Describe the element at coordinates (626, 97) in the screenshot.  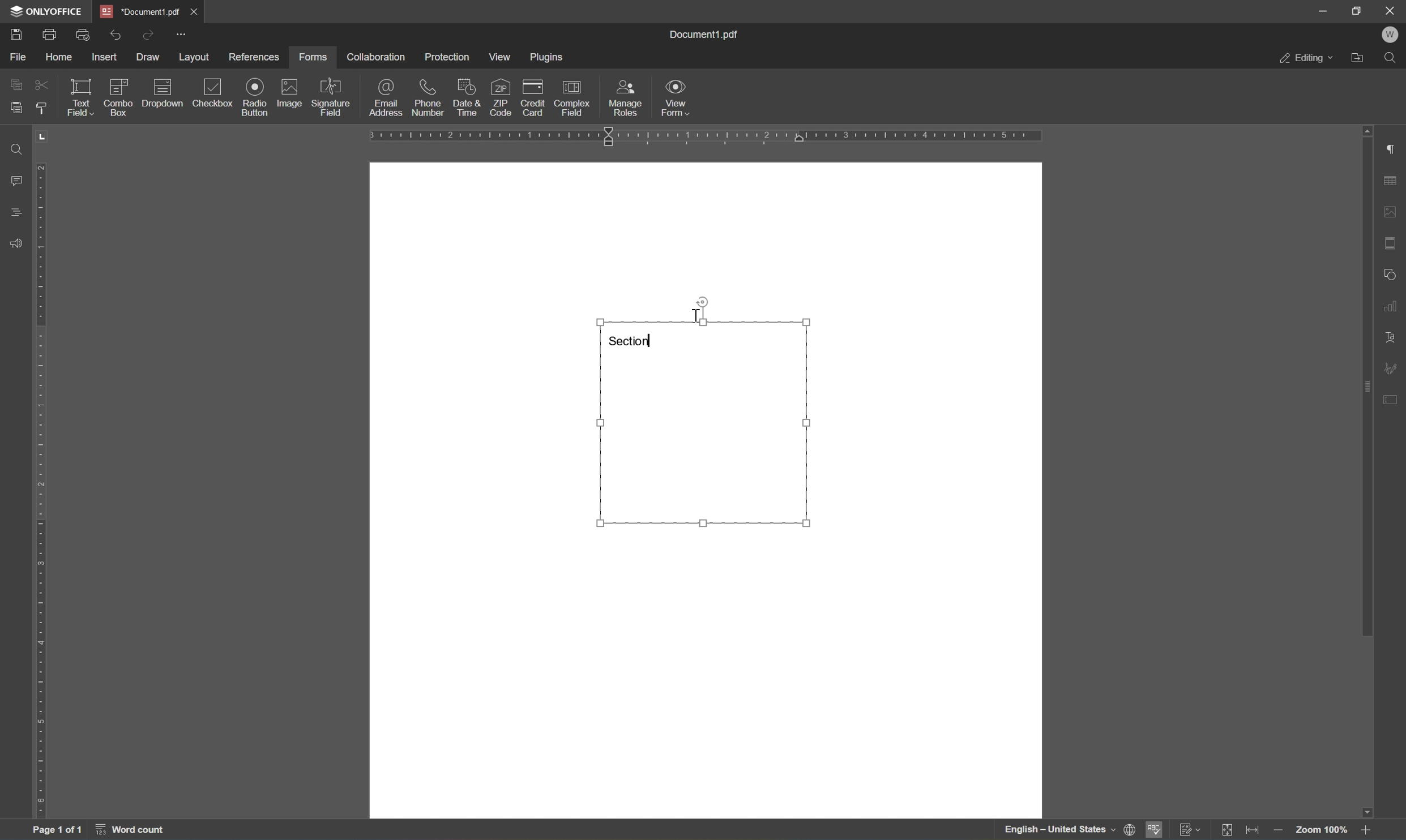
I see `manage roles` at that location.